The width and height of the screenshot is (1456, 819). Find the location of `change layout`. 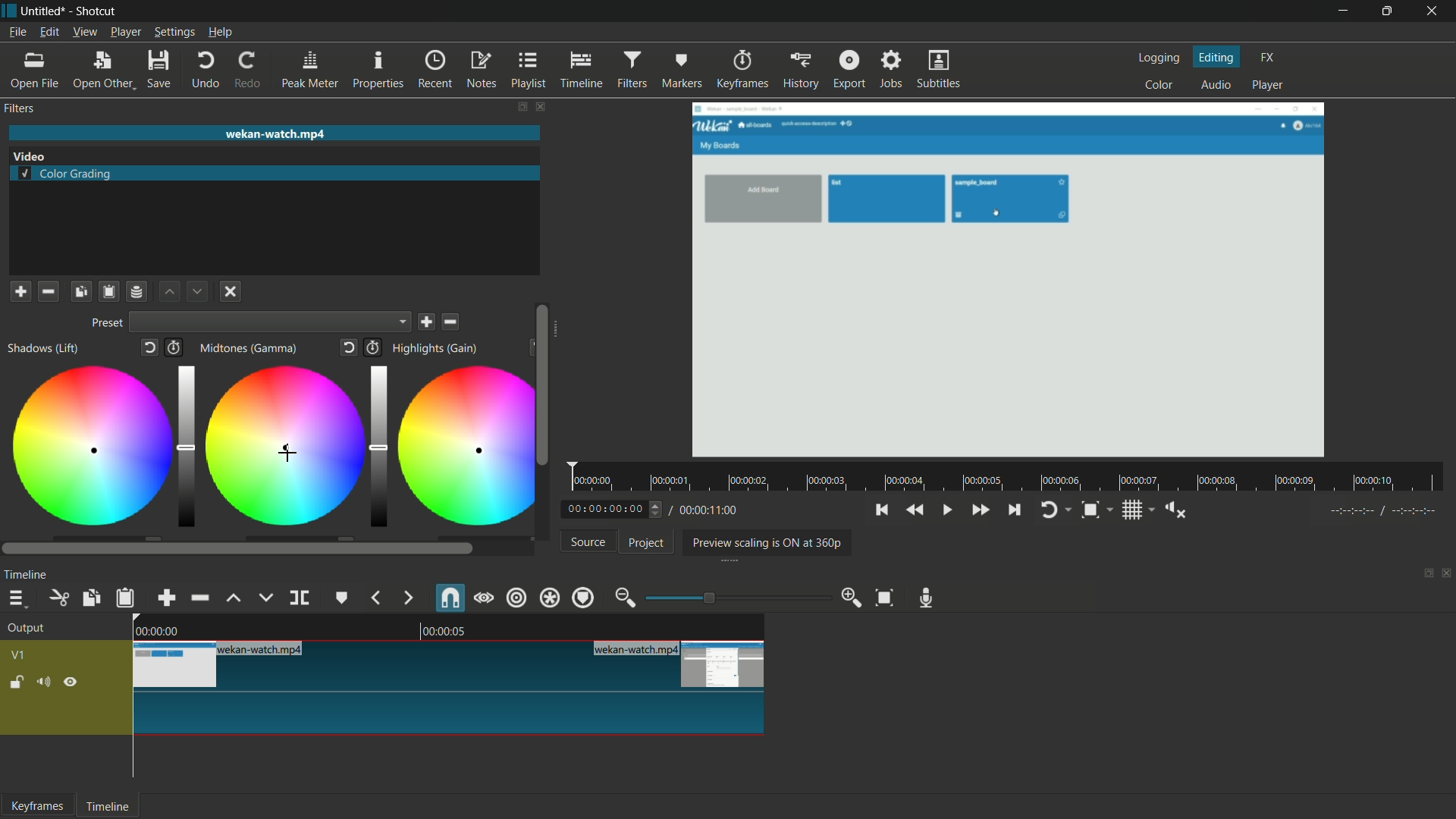

change layout is located at coordinates (522, 107).